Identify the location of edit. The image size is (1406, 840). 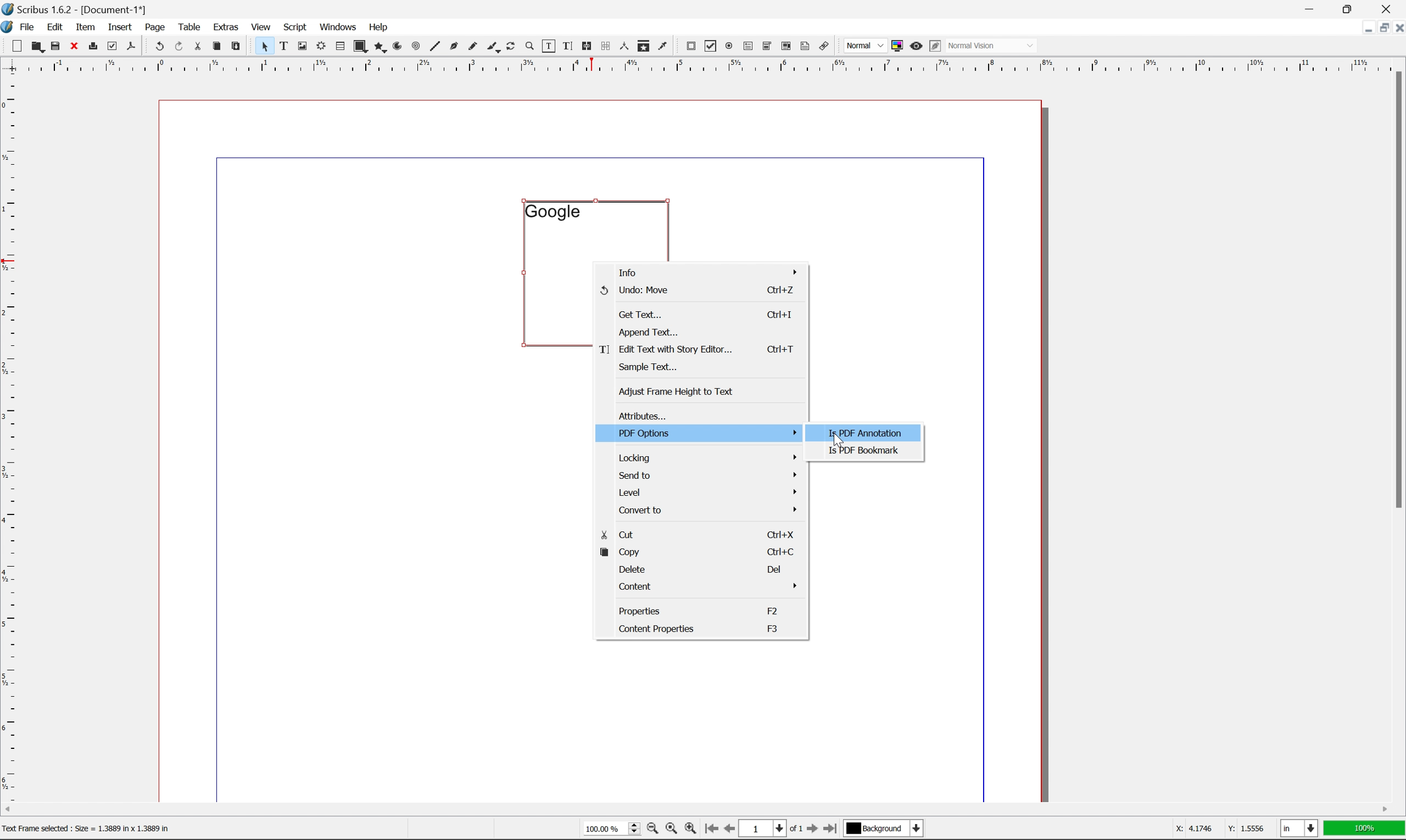
(57, 27).